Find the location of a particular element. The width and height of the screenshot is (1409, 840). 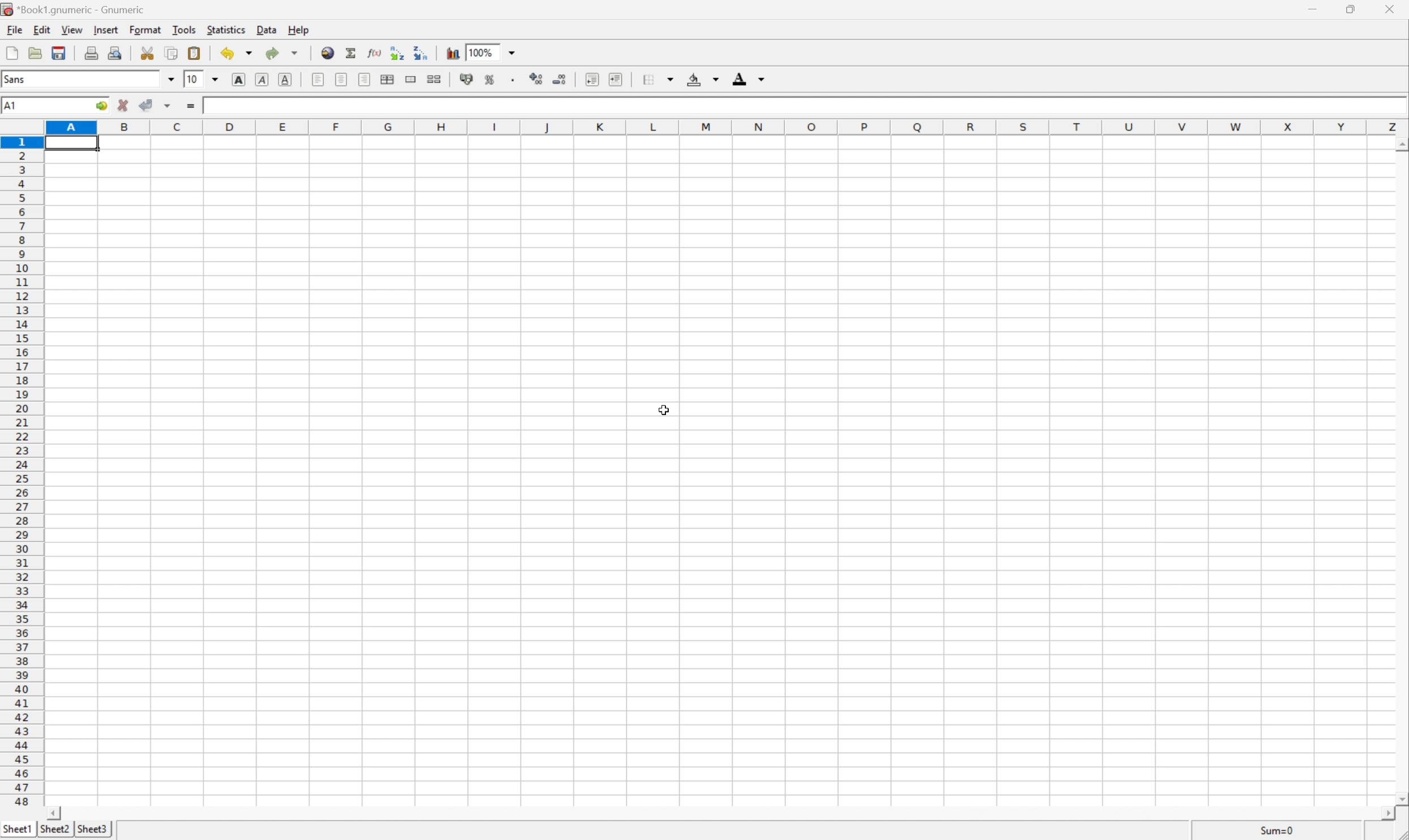

Format is located at coordinates (144, 29).